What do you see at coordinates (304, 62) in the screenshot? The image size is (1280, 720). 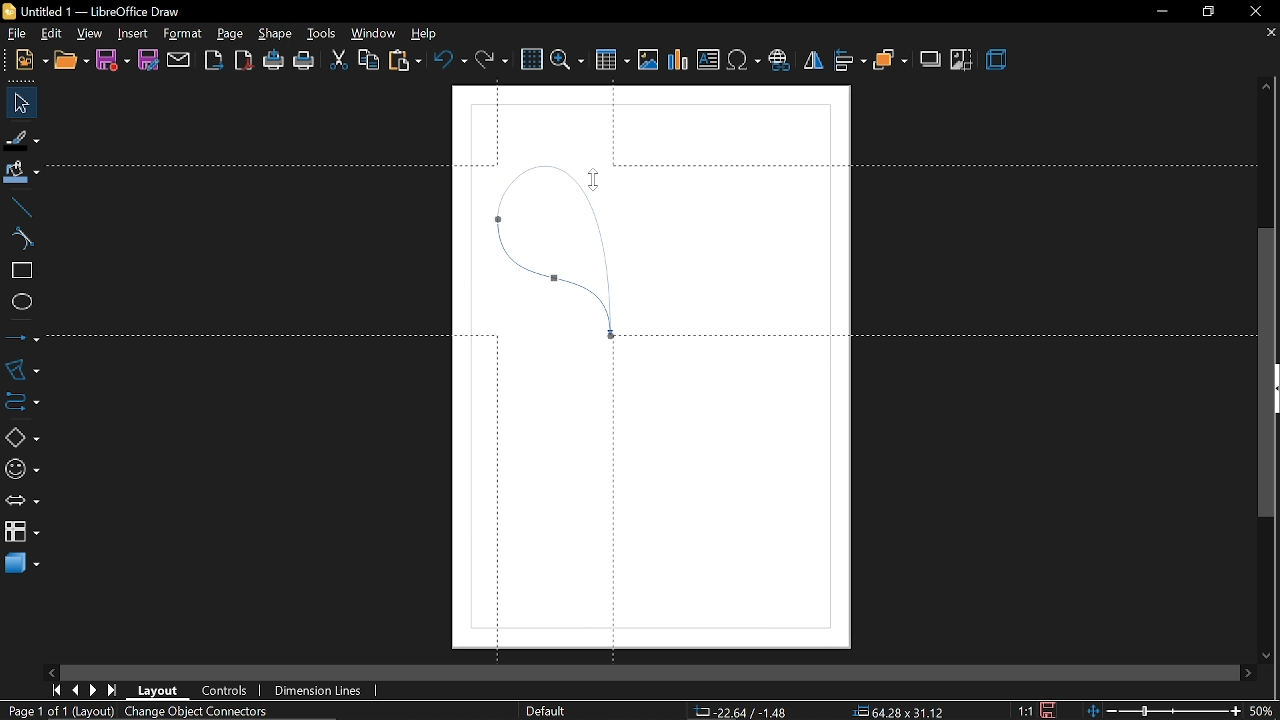 I see `print` at bounding box center [304, 62].